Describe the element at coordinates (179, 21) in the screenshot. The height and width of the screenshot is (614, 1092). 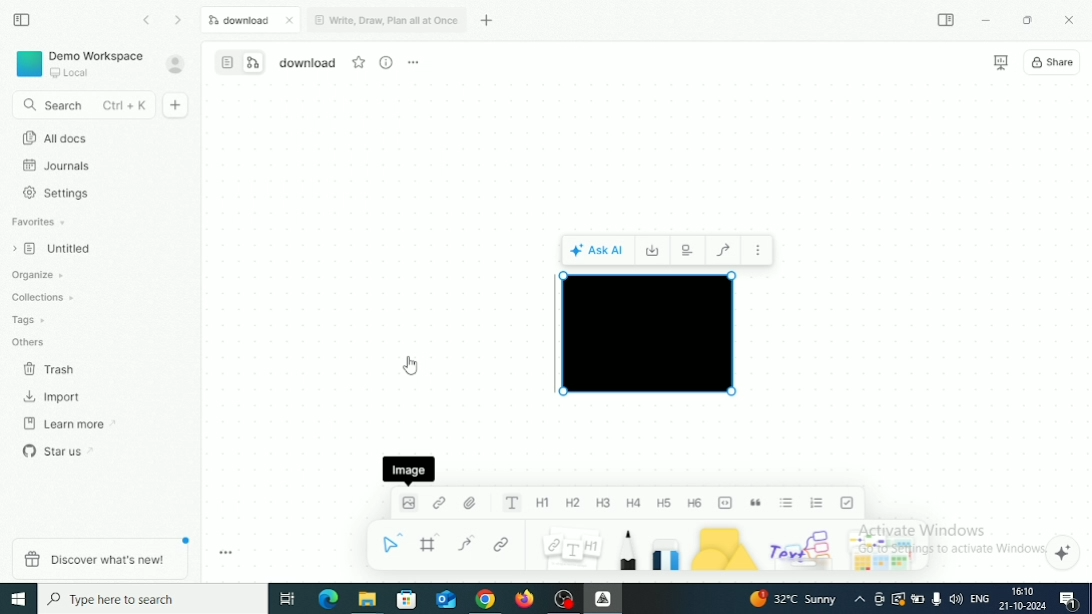
I see `Go forward` at that location.